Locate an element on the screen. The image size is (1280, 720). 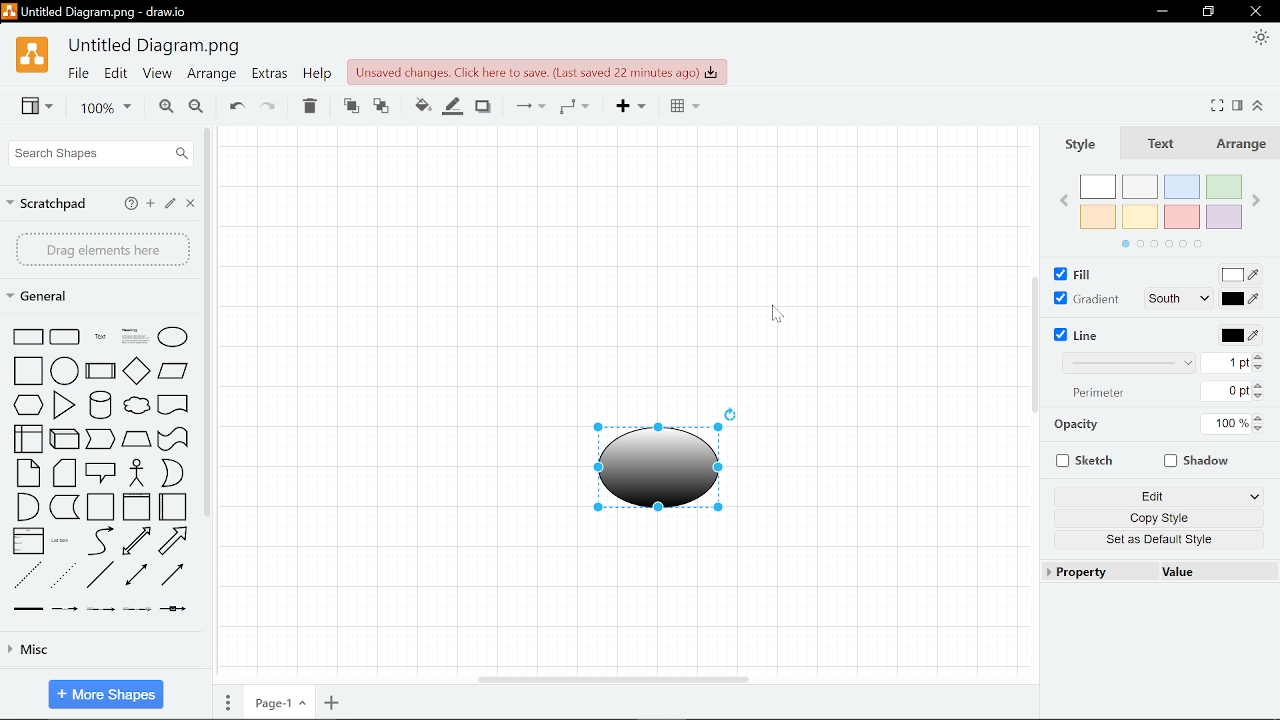
Increase perimeter is located at coordinates (1261, 384).